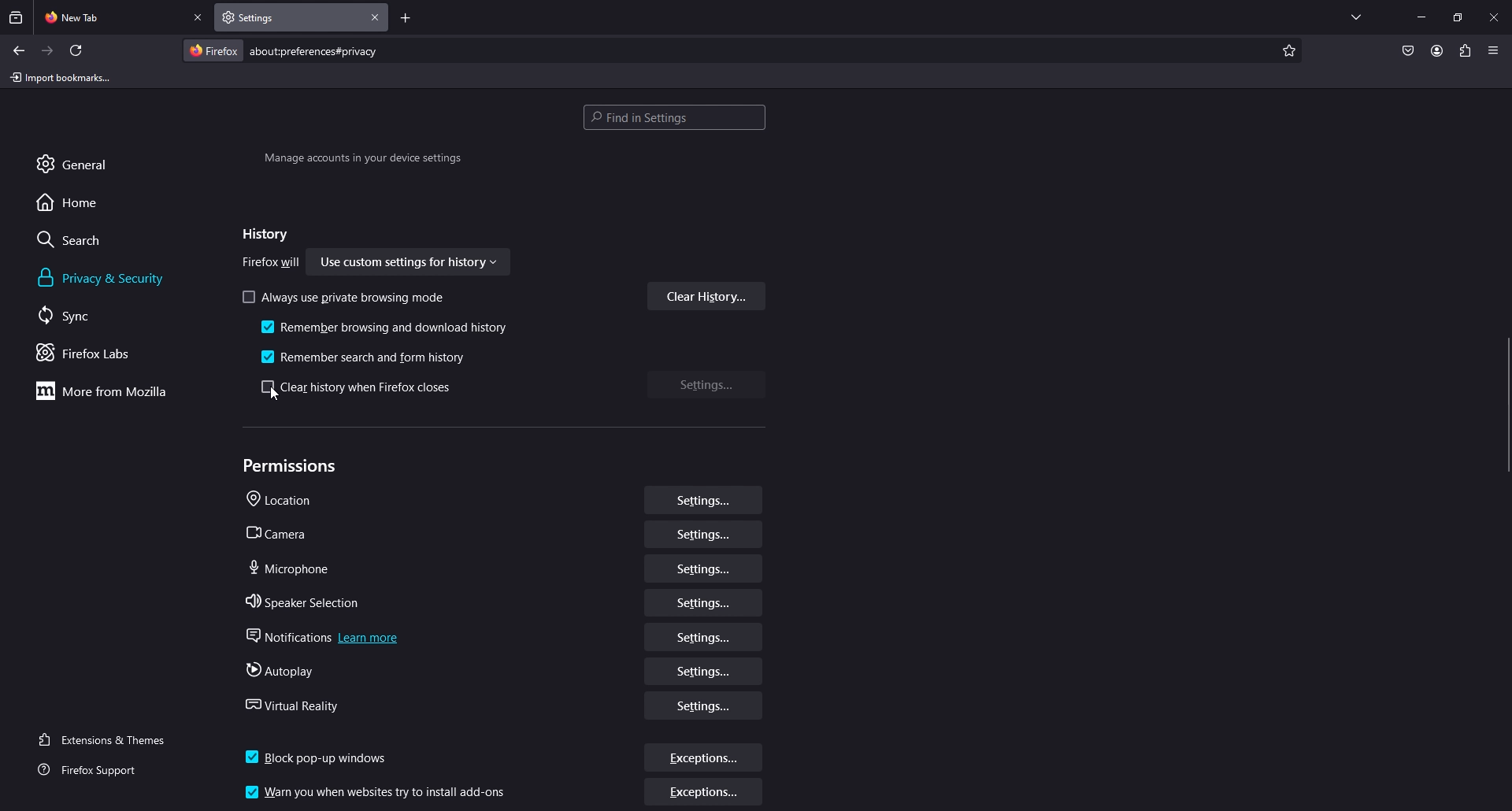 The width and height of the screenshot is (1512, 811). What do you see at coordinates (110, 391) in the screenshot?
I see `more from mozilla` at bounding box center [110, 391].